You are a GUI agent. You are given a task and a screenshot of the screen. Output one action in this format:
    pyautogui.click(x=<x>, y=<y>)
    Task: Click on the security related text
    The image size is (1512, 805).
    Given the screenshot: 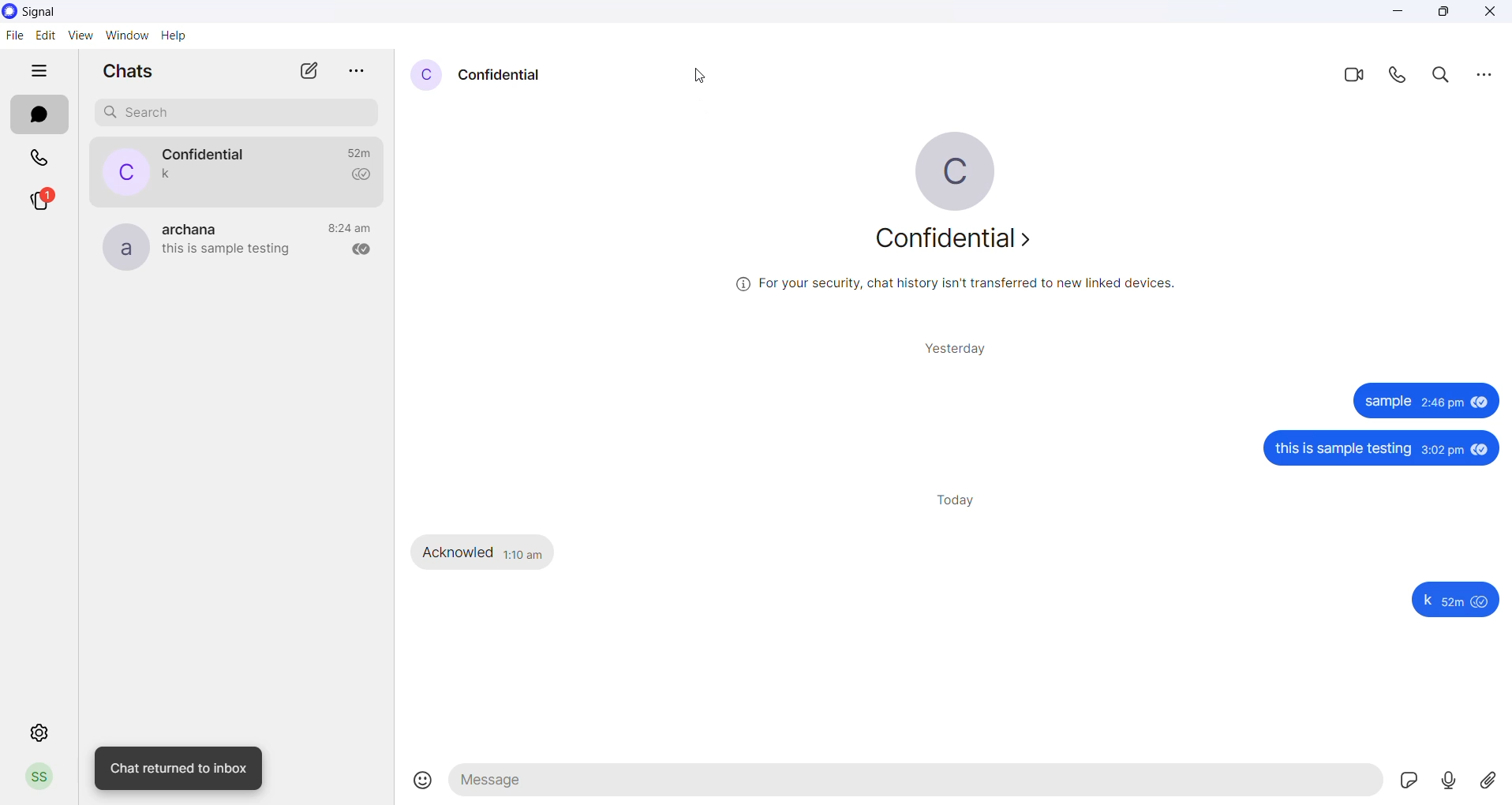 What is the action you would take?
    pyautogui.click(x=964, y=287)
    